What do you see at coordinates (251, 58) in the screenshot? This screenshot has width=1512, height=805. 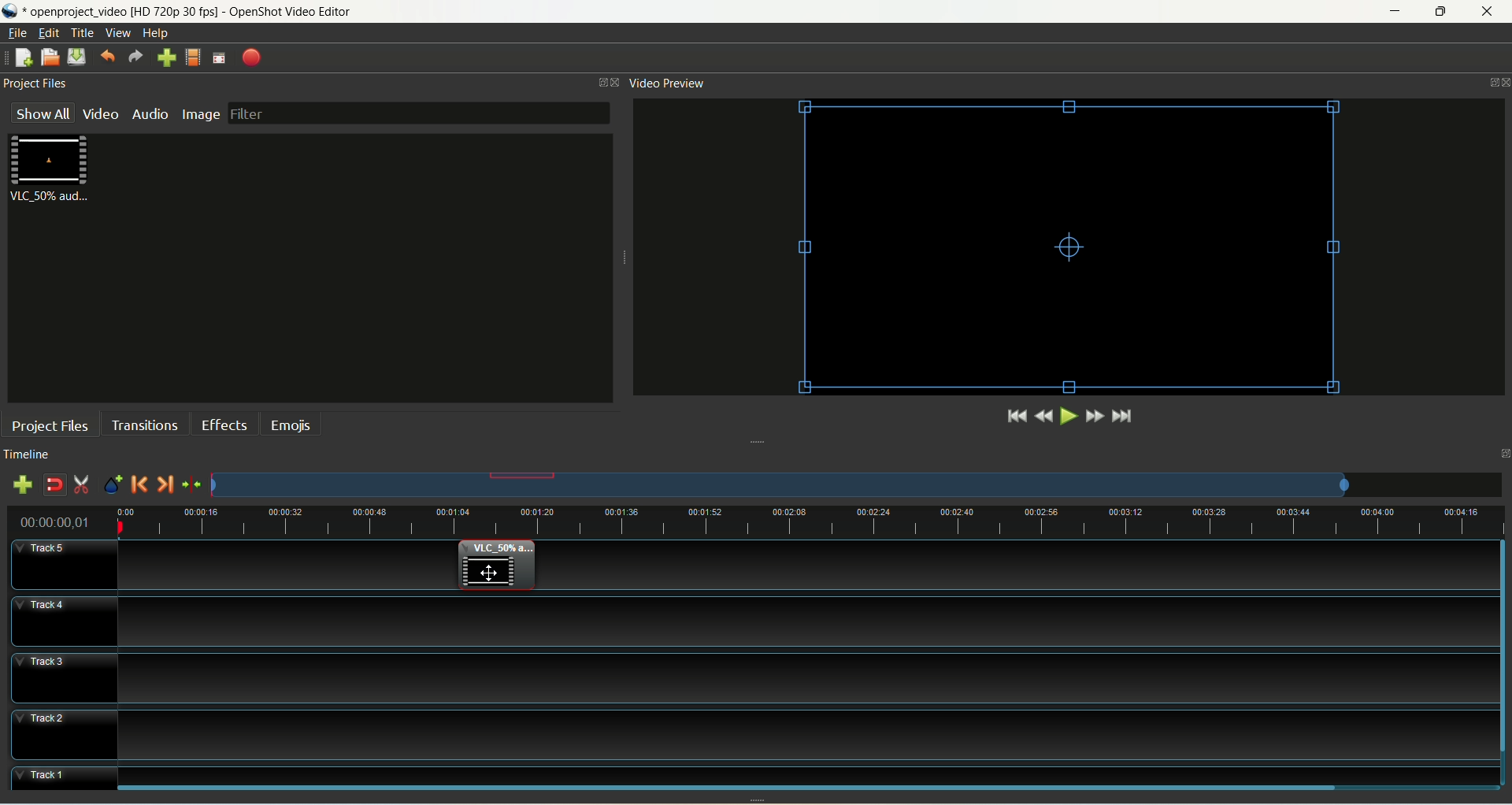 I see `export video` at bounding box center [251, 58].